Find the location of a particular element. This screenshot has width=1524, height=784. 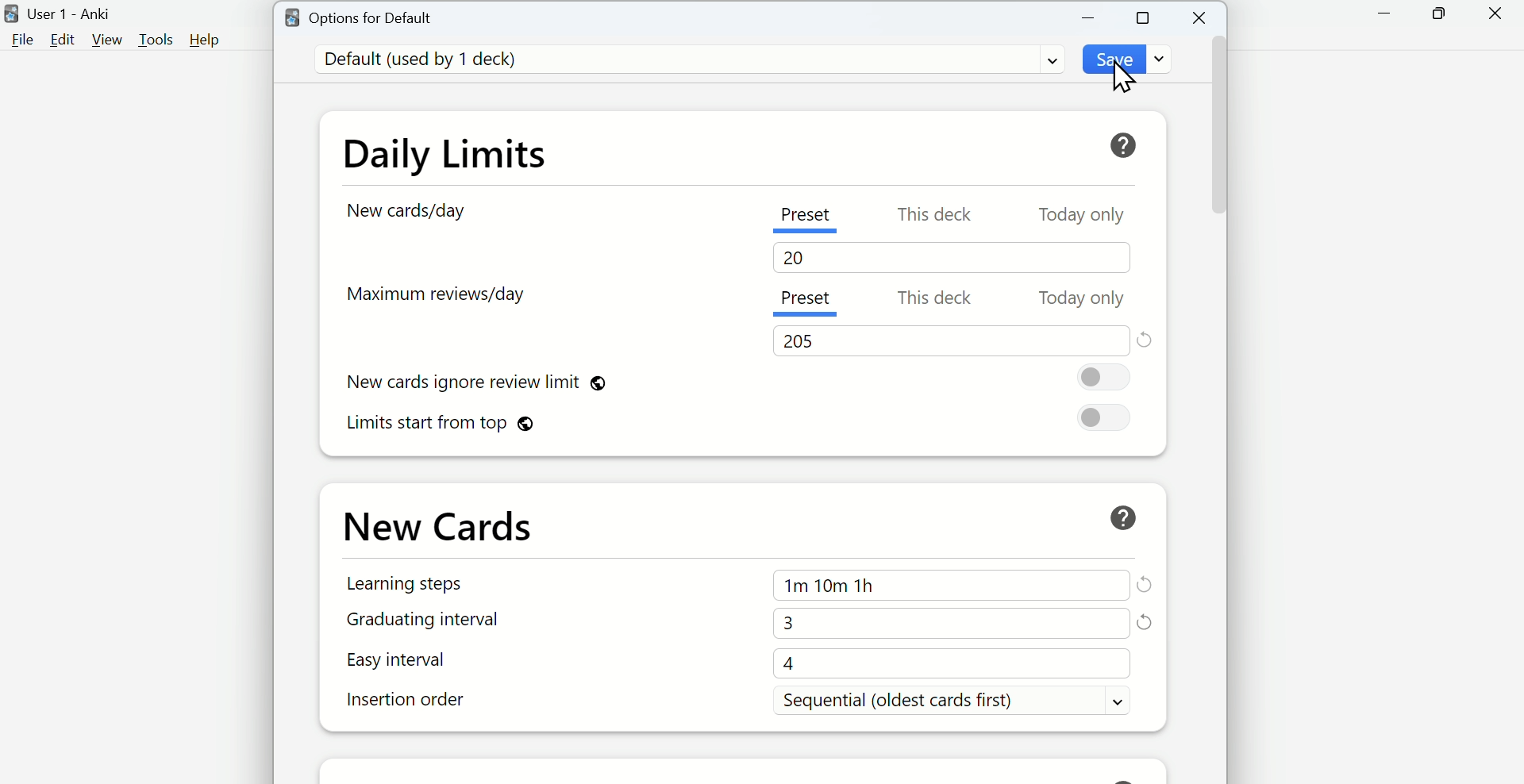

1m 10m is located at coordinates (946, 579).